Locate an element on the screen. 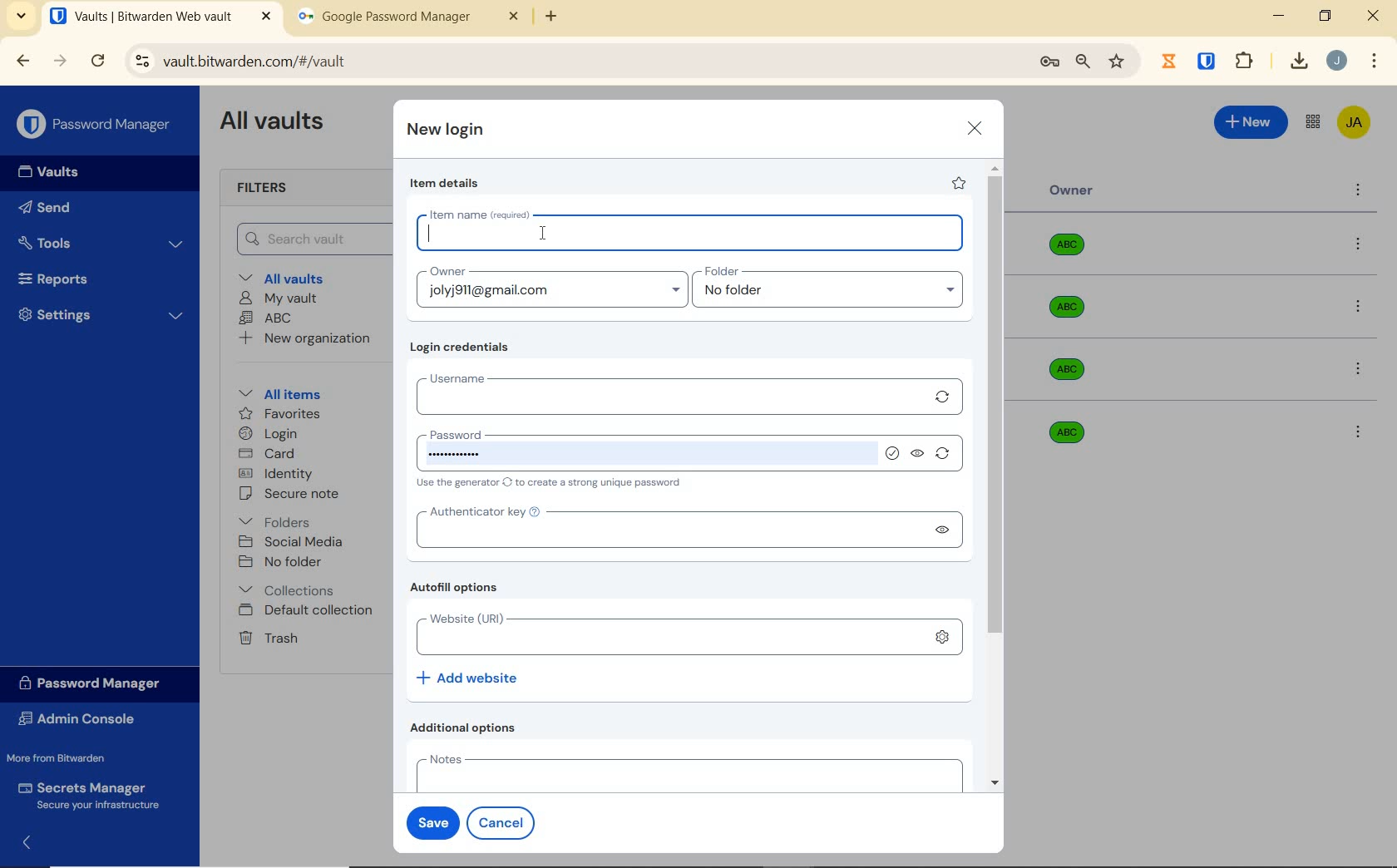 The image size is (1397, 868). toggle between admin console and password manager is located at coordinates (1311, 123).